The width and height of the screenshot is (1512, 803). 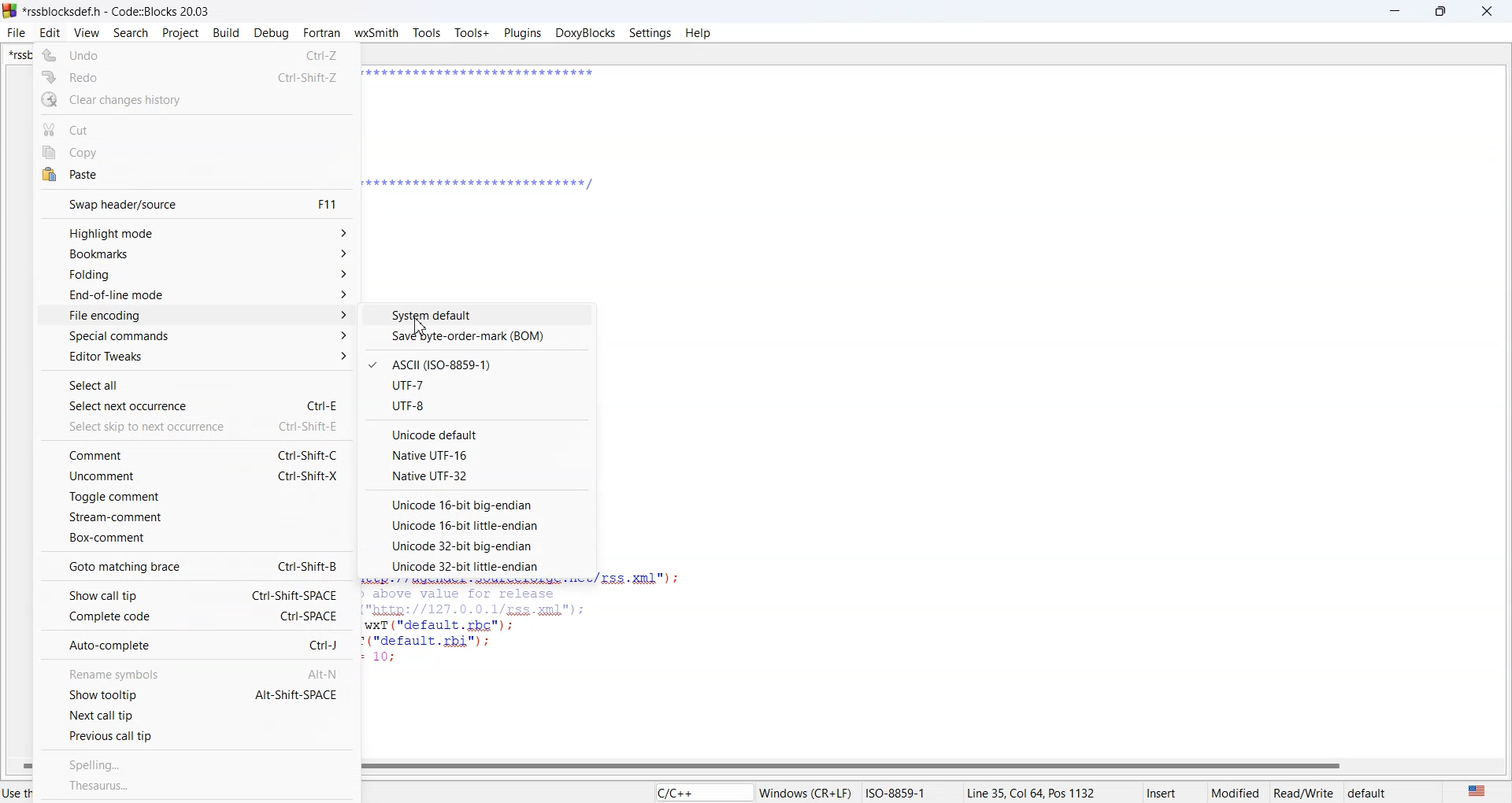 I want to click on Cursor System default, so click(x=419, y=327).